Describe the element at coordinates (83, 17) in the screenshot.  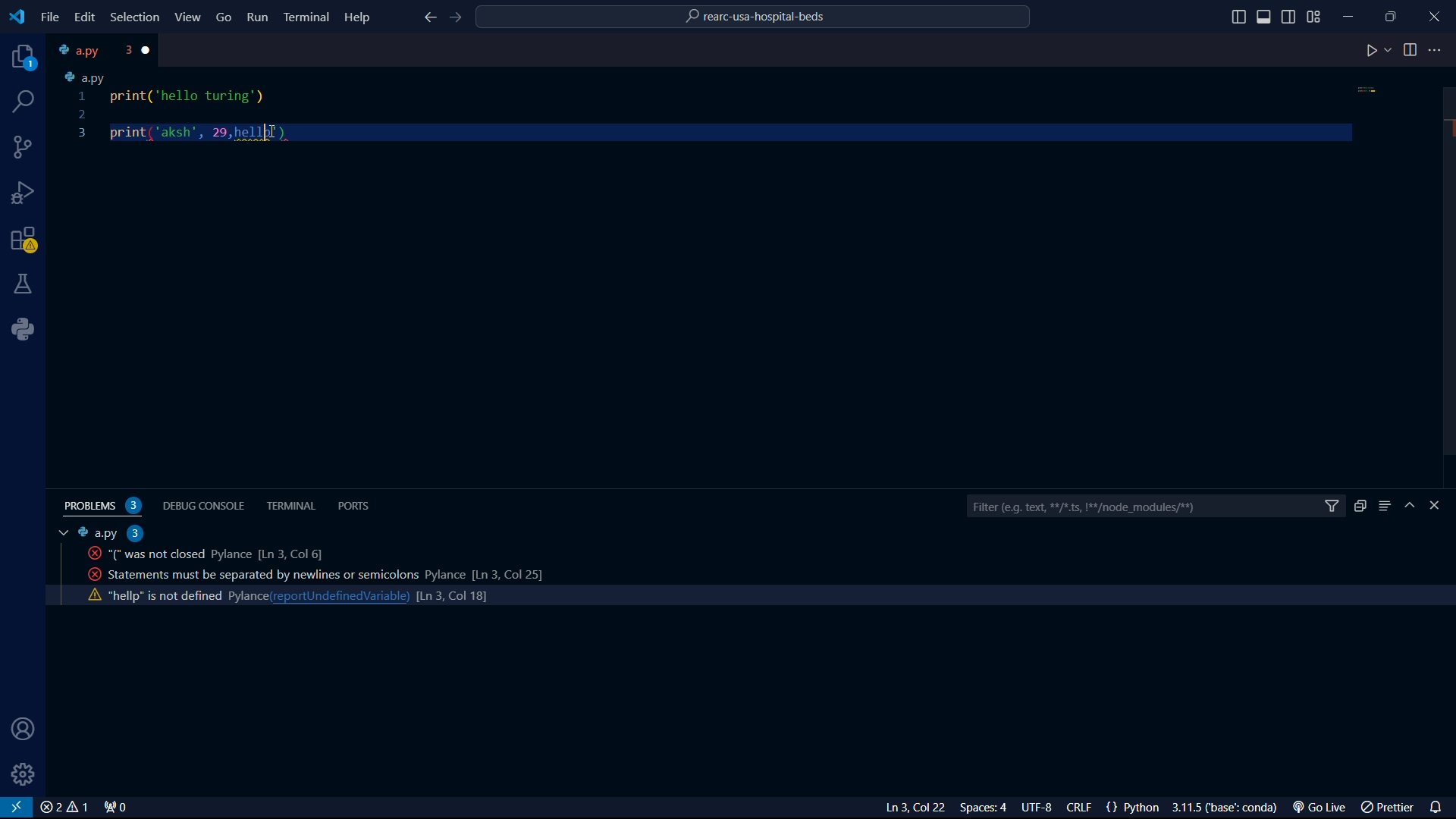
I see `edit` at that location.